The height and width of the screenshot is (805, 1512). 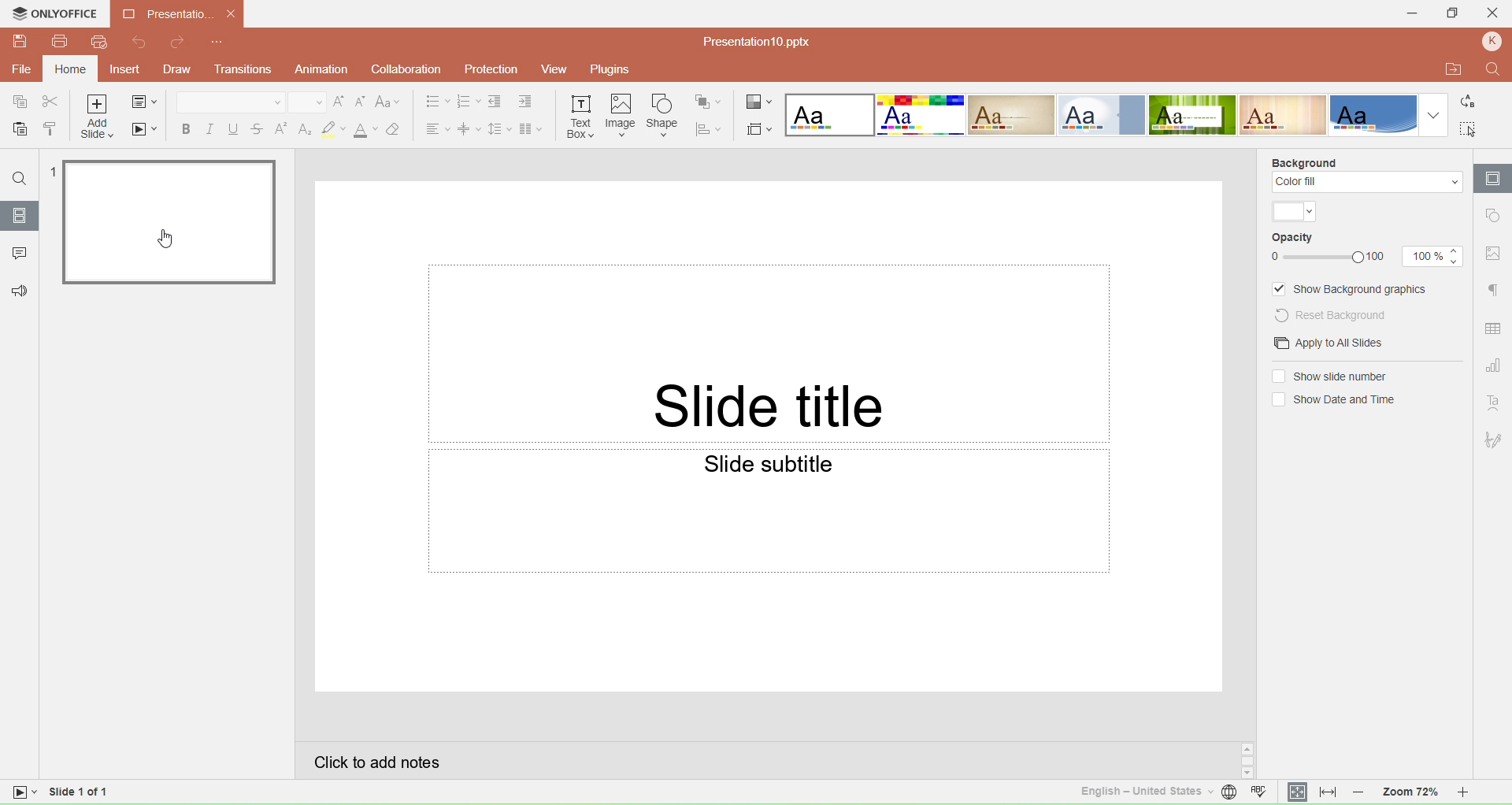 I want to click on Bold, so click(x=183, y=128).